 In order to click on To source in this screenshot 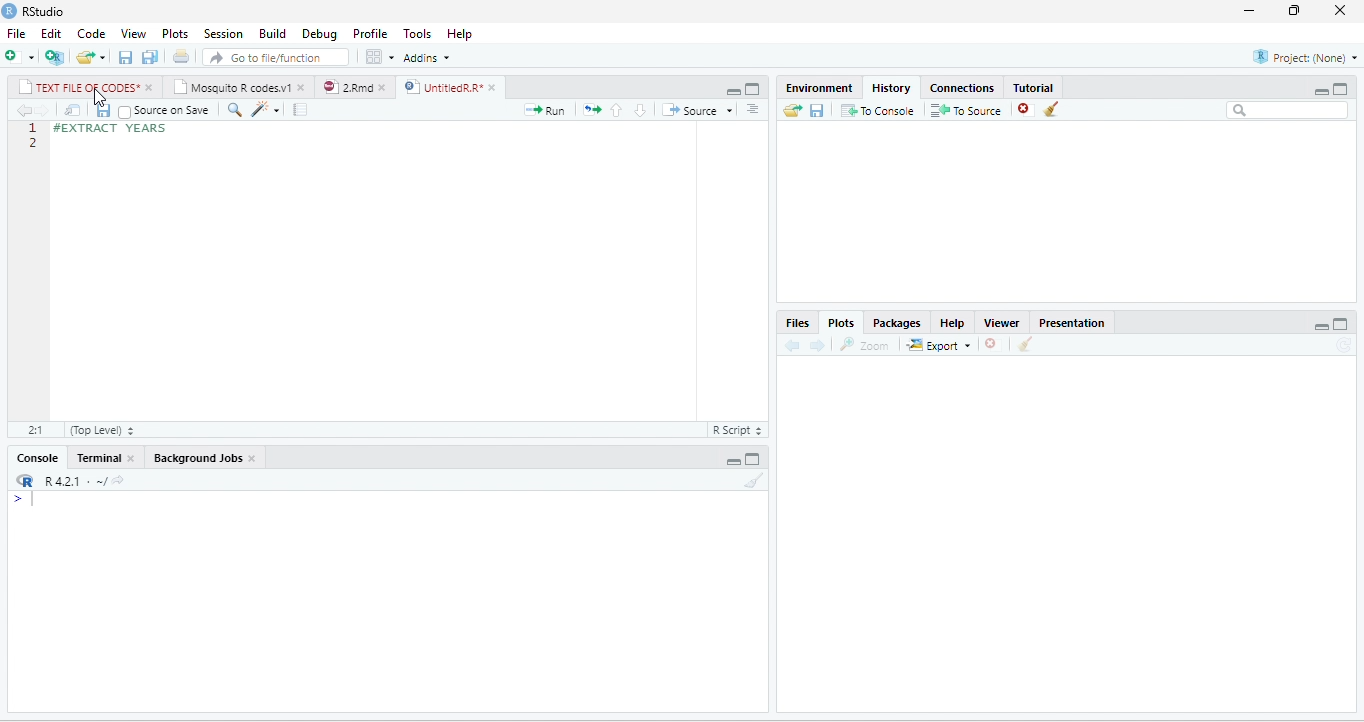, I will do `click(964, 109)`.